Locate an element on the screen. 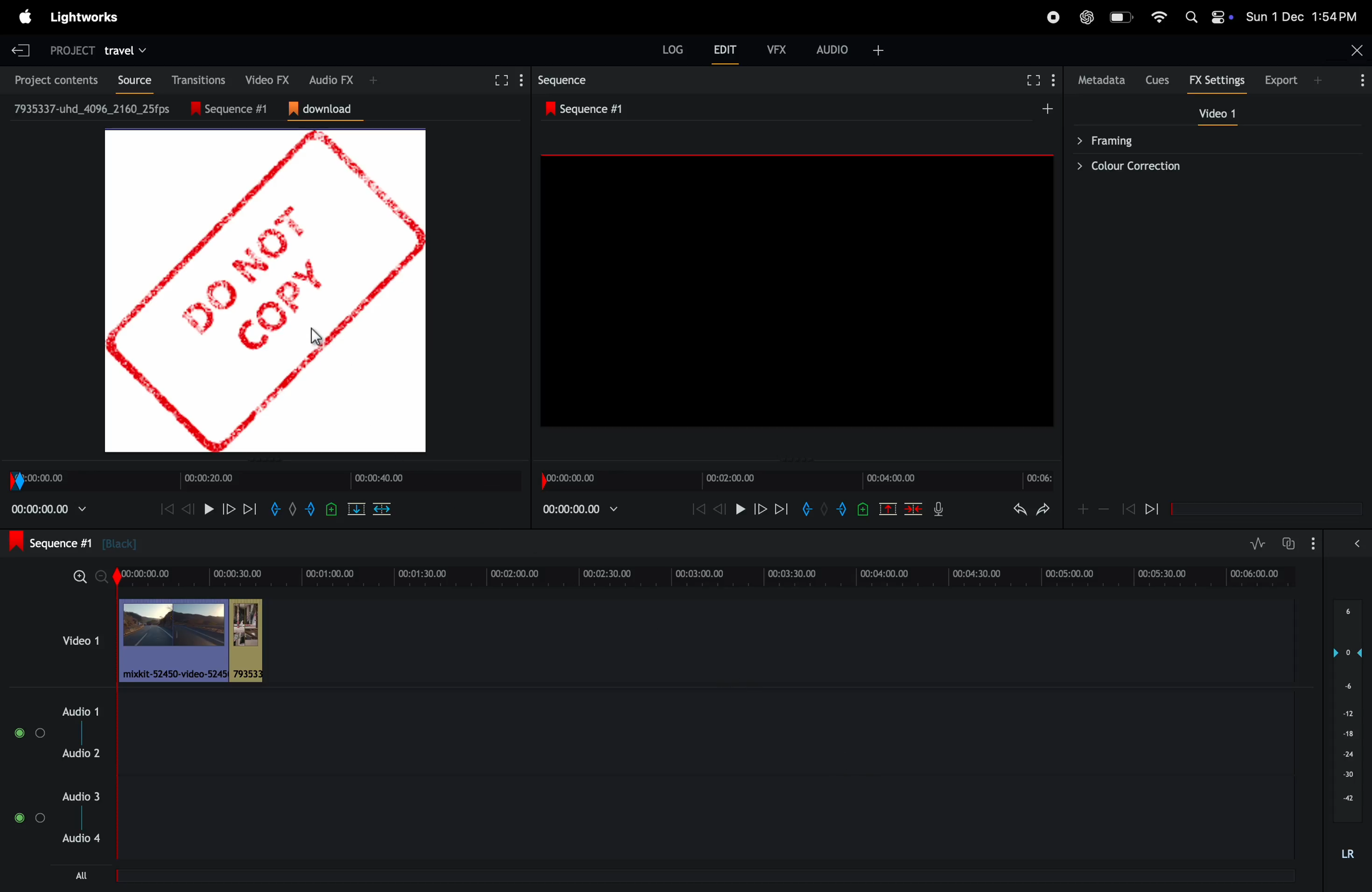 This screenshot has height=892, width=1372. log is located at coordinates (673, 49).